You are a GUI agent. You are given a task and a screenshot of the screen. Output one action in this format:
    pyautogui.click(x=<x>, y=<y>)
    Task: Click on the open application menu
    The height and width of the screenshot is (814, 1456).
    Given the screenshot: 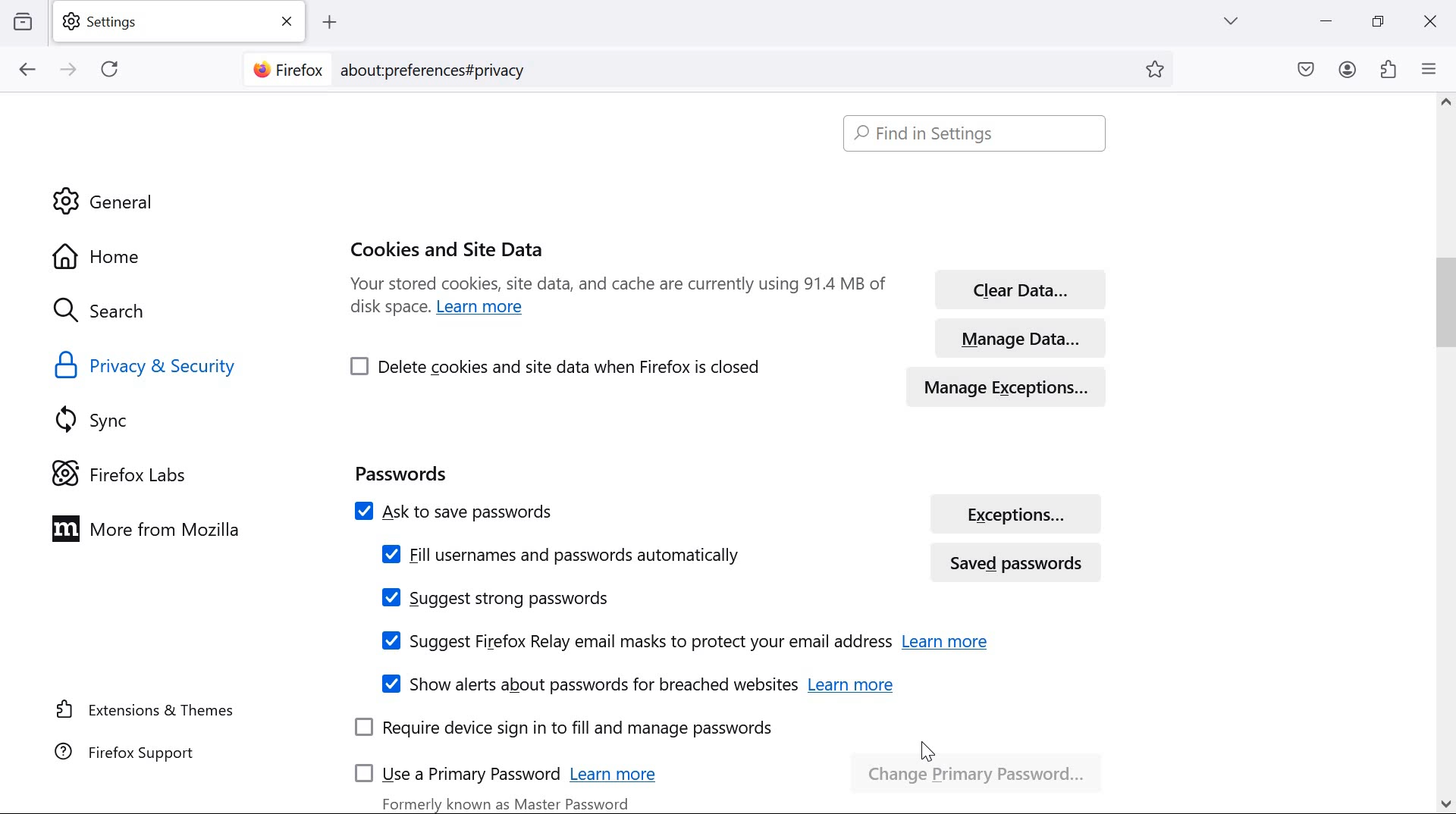 What is the action you would take?
    pyautogui.click(x=1432, y=68)
    